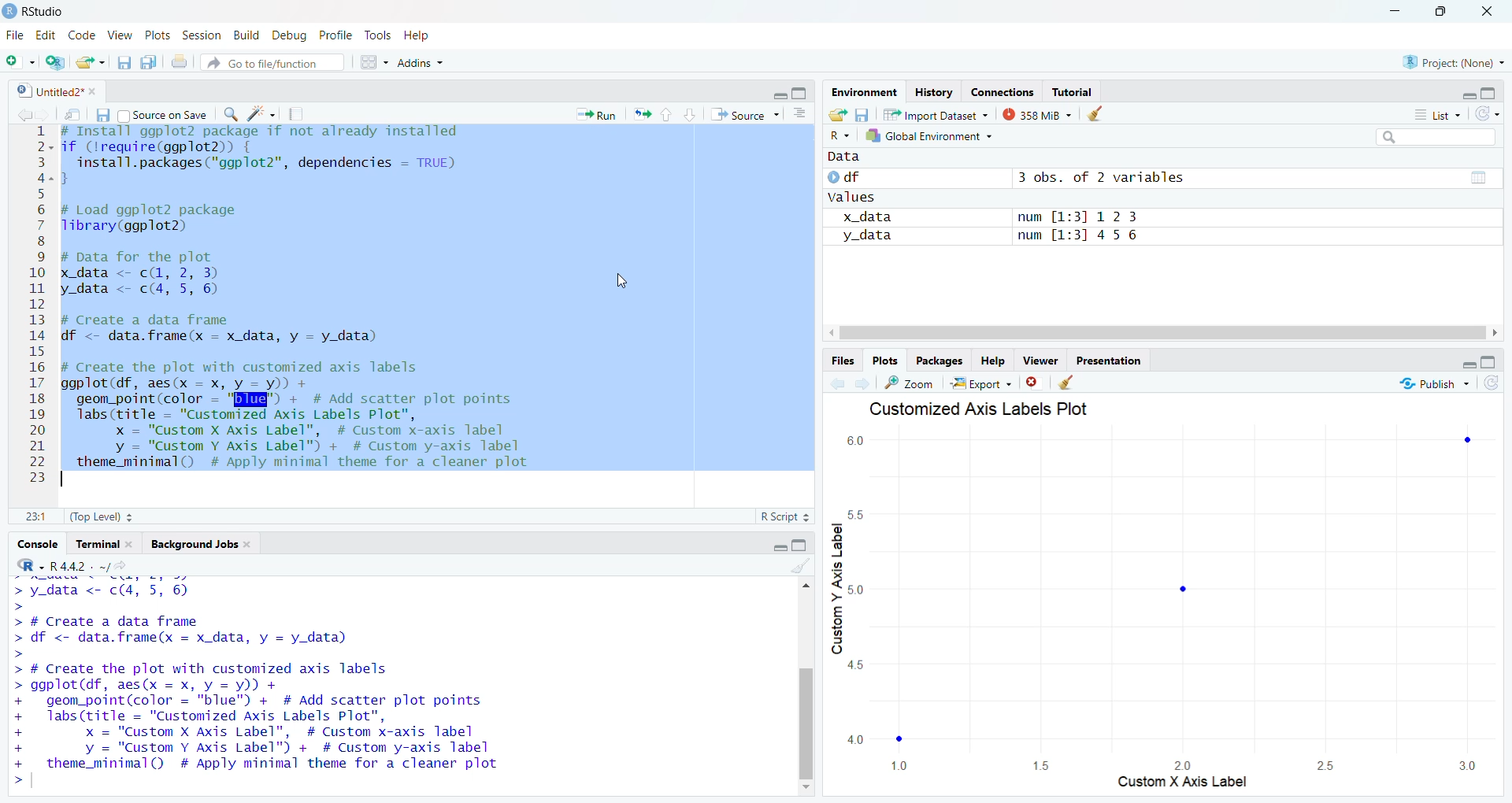  What do you see at coordinates (1495, 385) in the screenshot?
I see `refresh` at bounding box center [1495, 385].